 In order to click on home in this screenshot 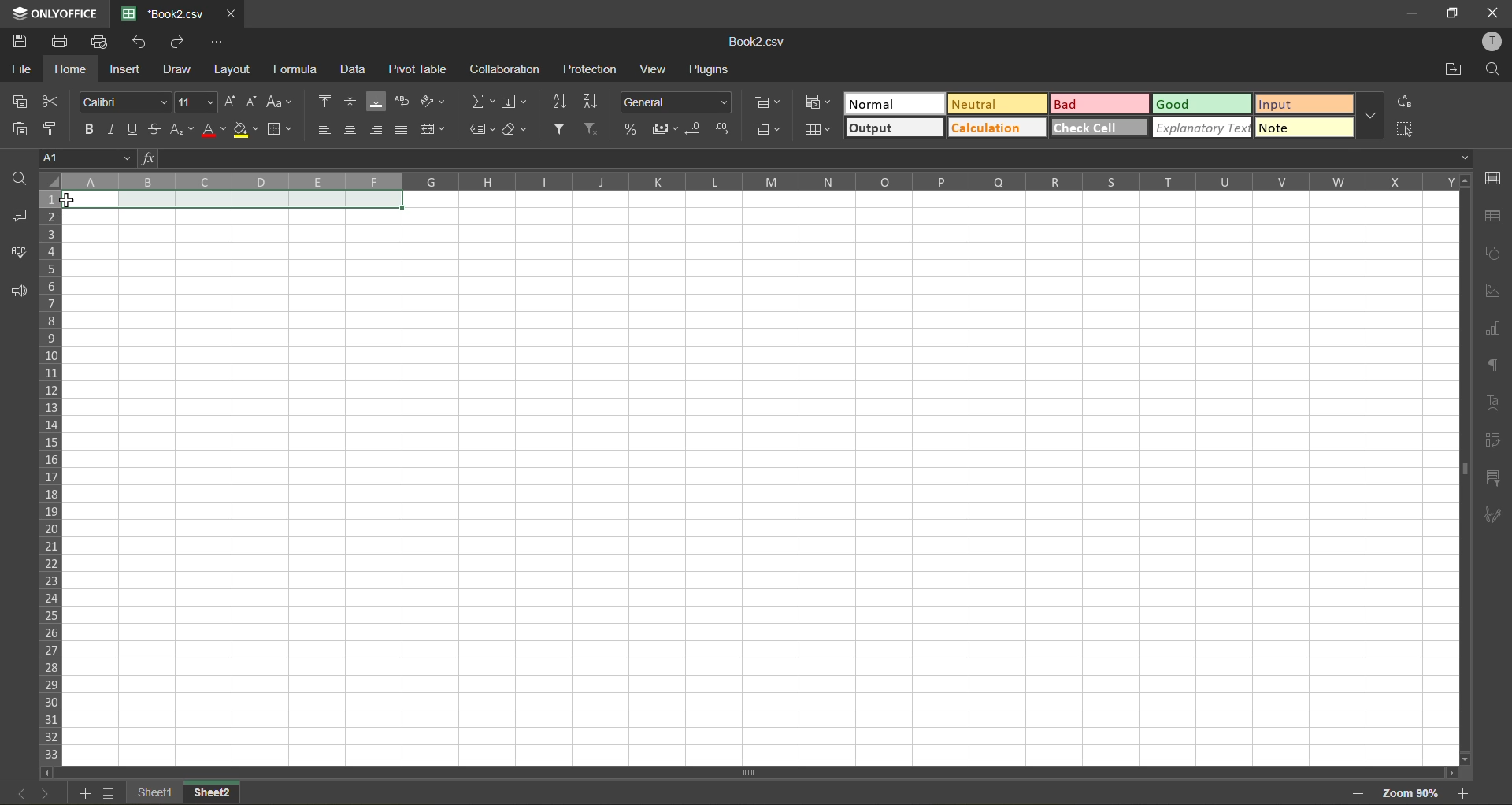, I will do `click(67, 69)`.